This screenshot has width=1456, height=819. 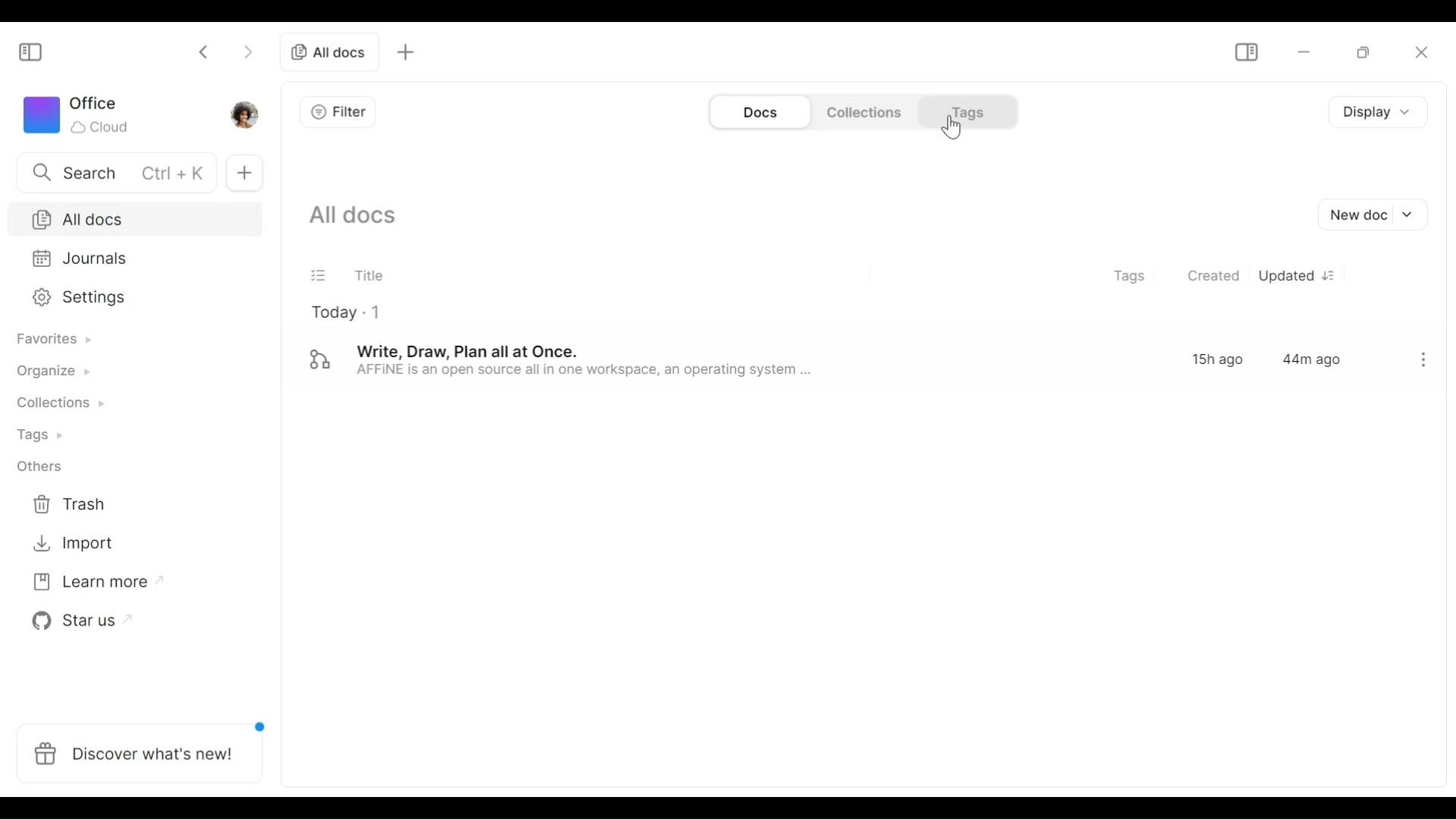 What do you see at coordinates (962, 113) in the screenshot?
I see `Tags` at bounding box center [962, 113].